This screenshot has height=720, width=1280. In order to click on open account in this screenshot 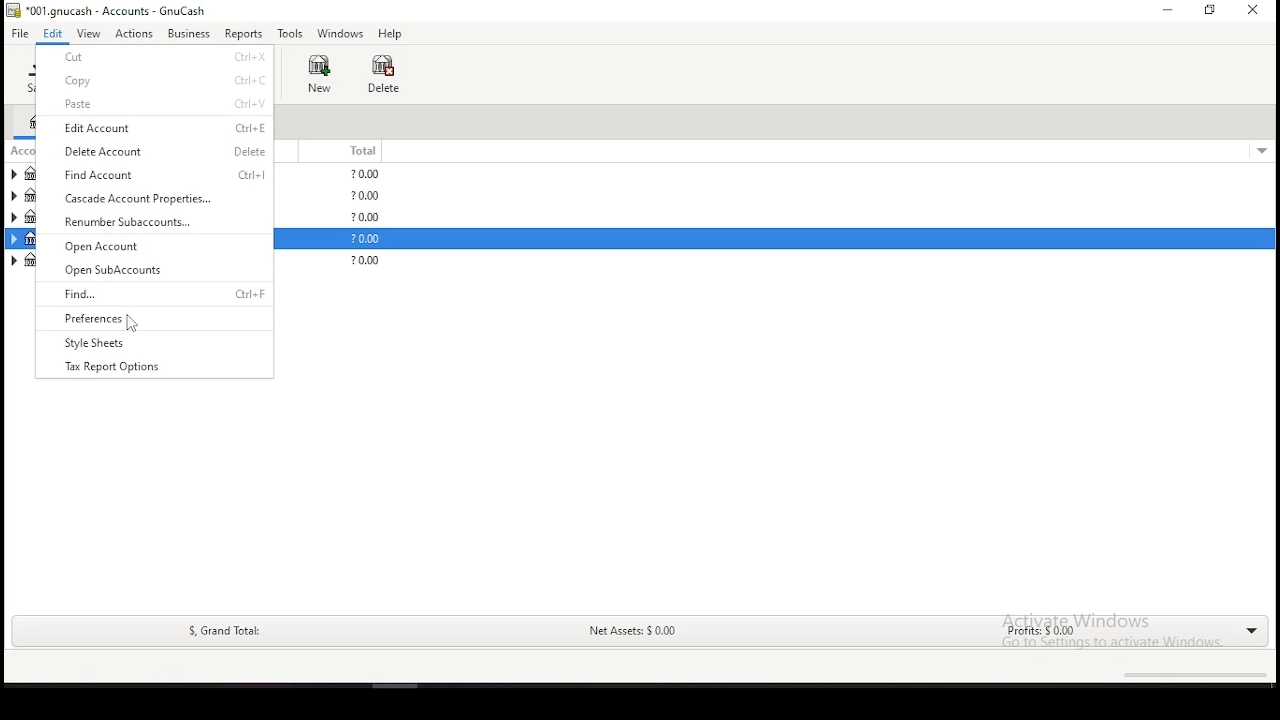, I will do `click(152, 245)`.